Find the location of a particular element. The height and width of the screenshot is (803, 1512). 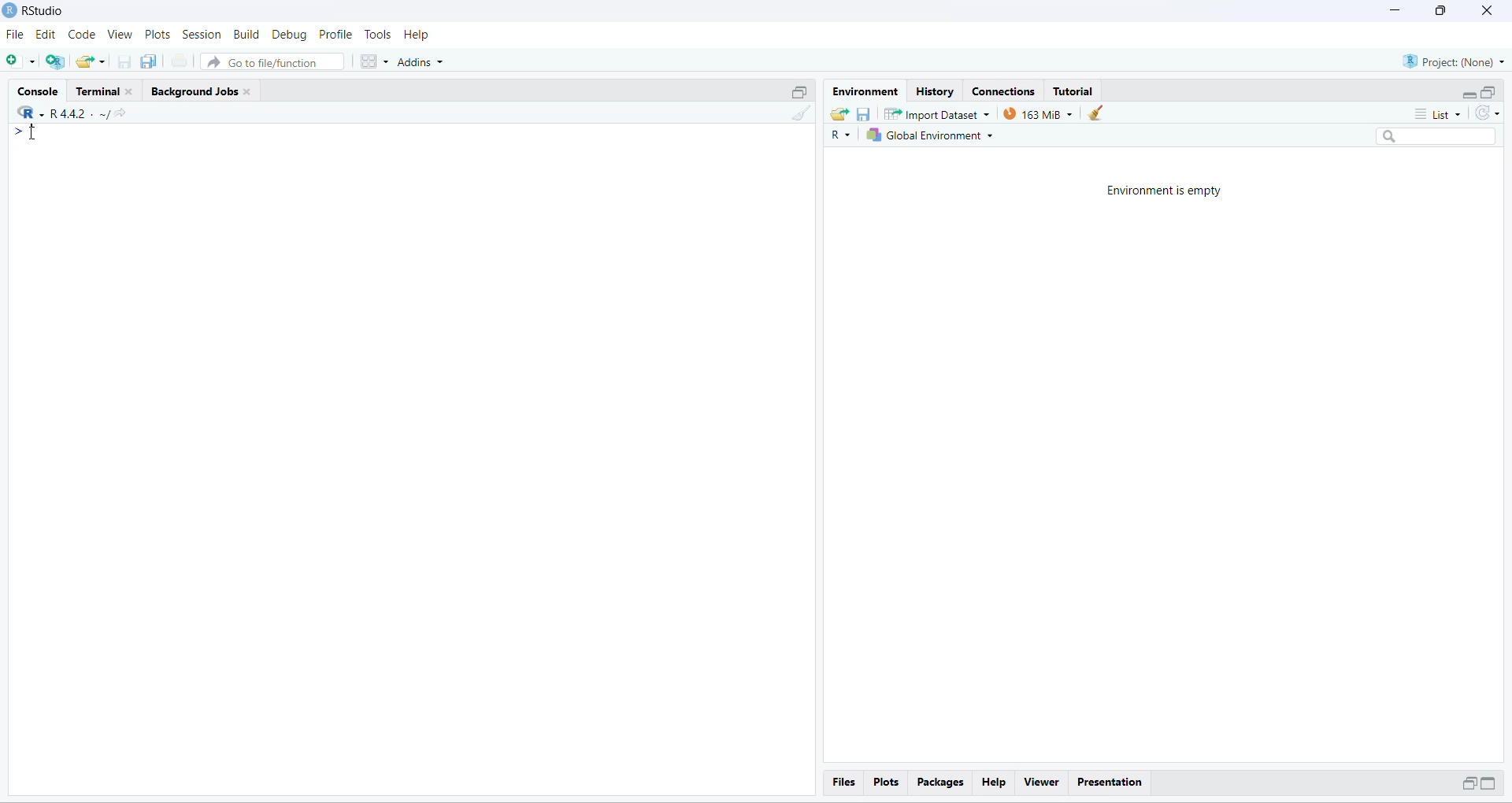

cursor is located at coordinates (31, 133).